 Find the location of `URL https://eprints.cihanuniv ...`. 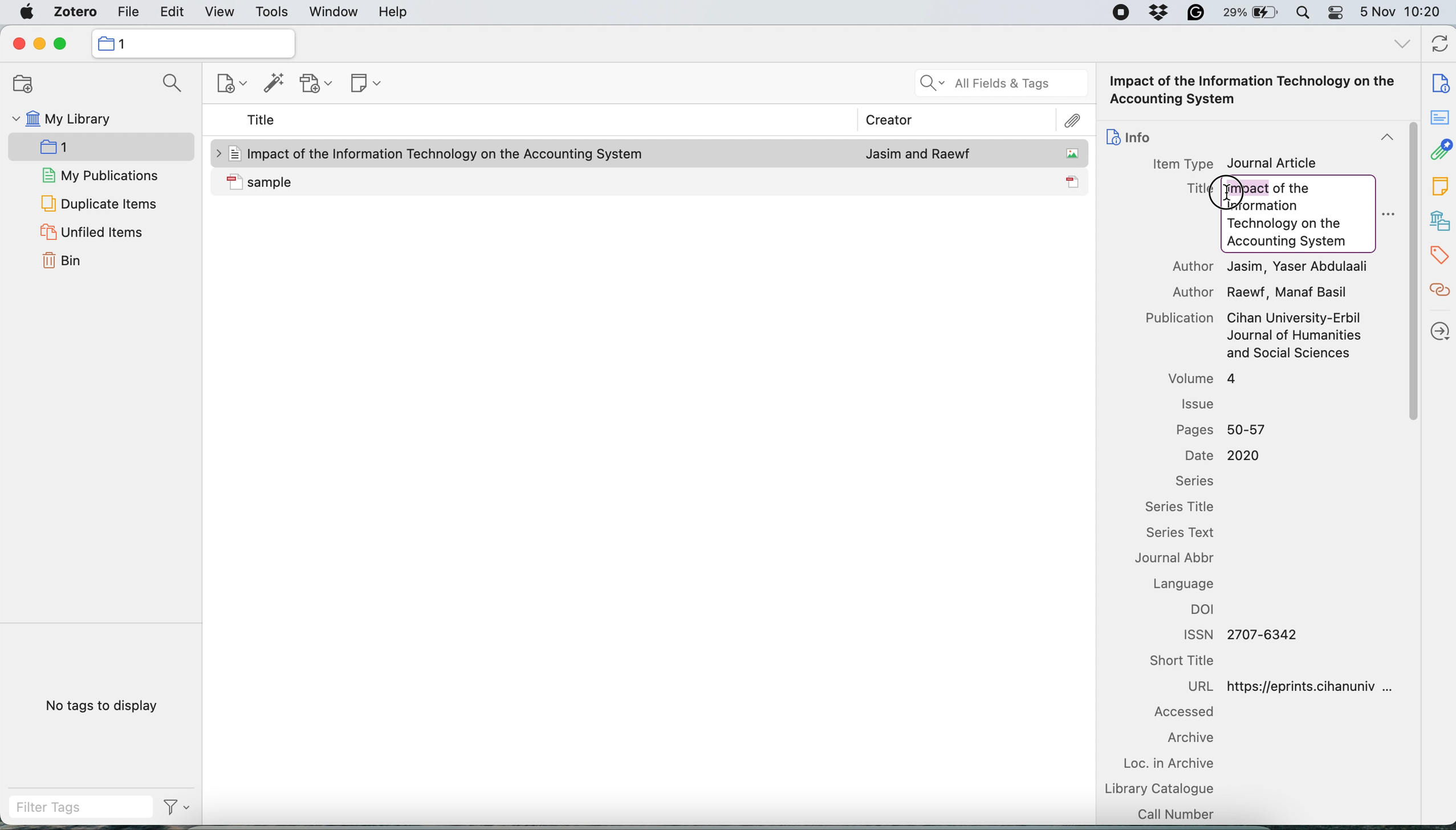

URL https://eprints.cihanuniv ... is located at coordinates (1290, 686).